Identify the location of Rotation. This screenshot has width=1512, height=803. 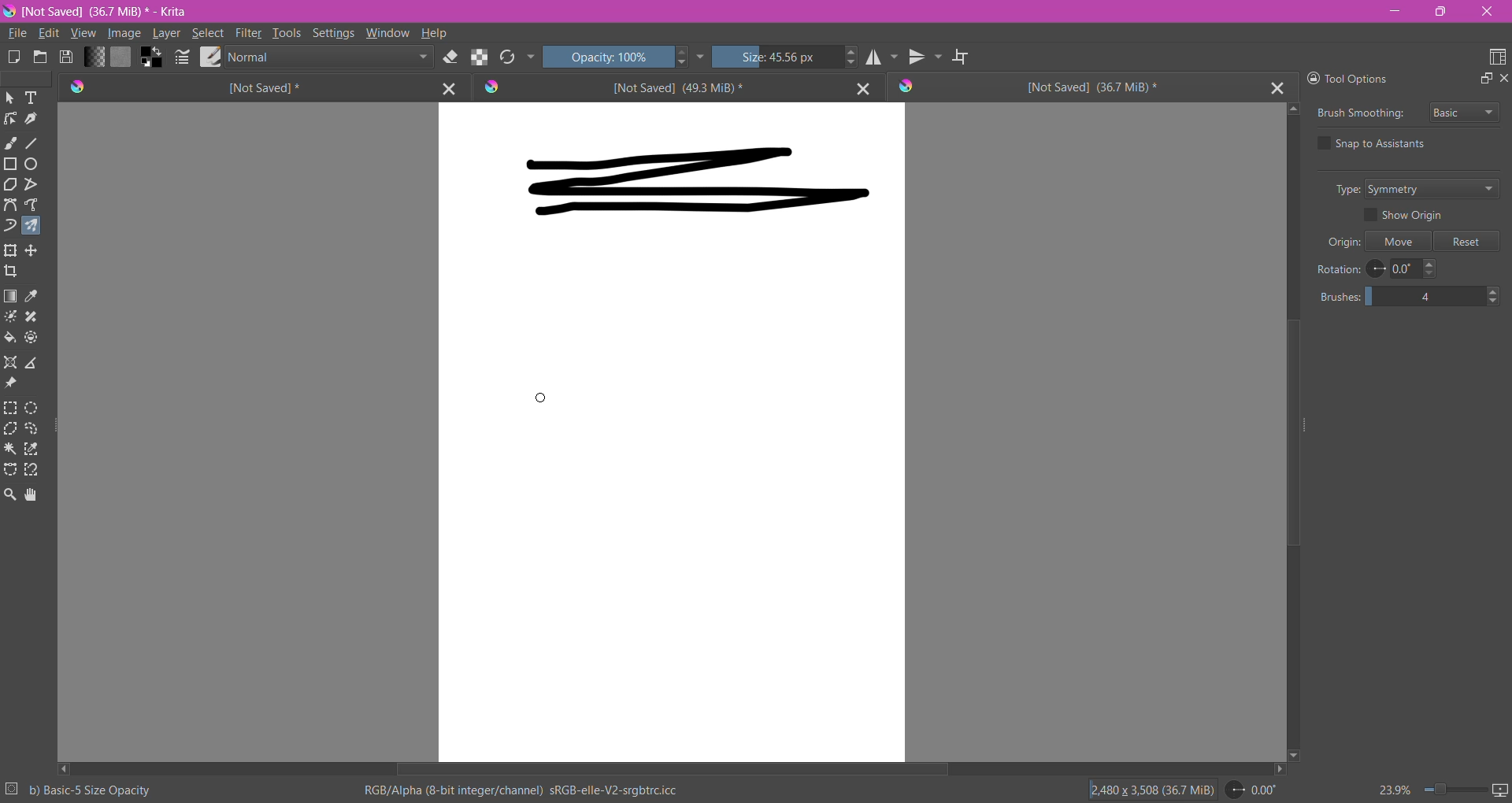
(1338, 269).